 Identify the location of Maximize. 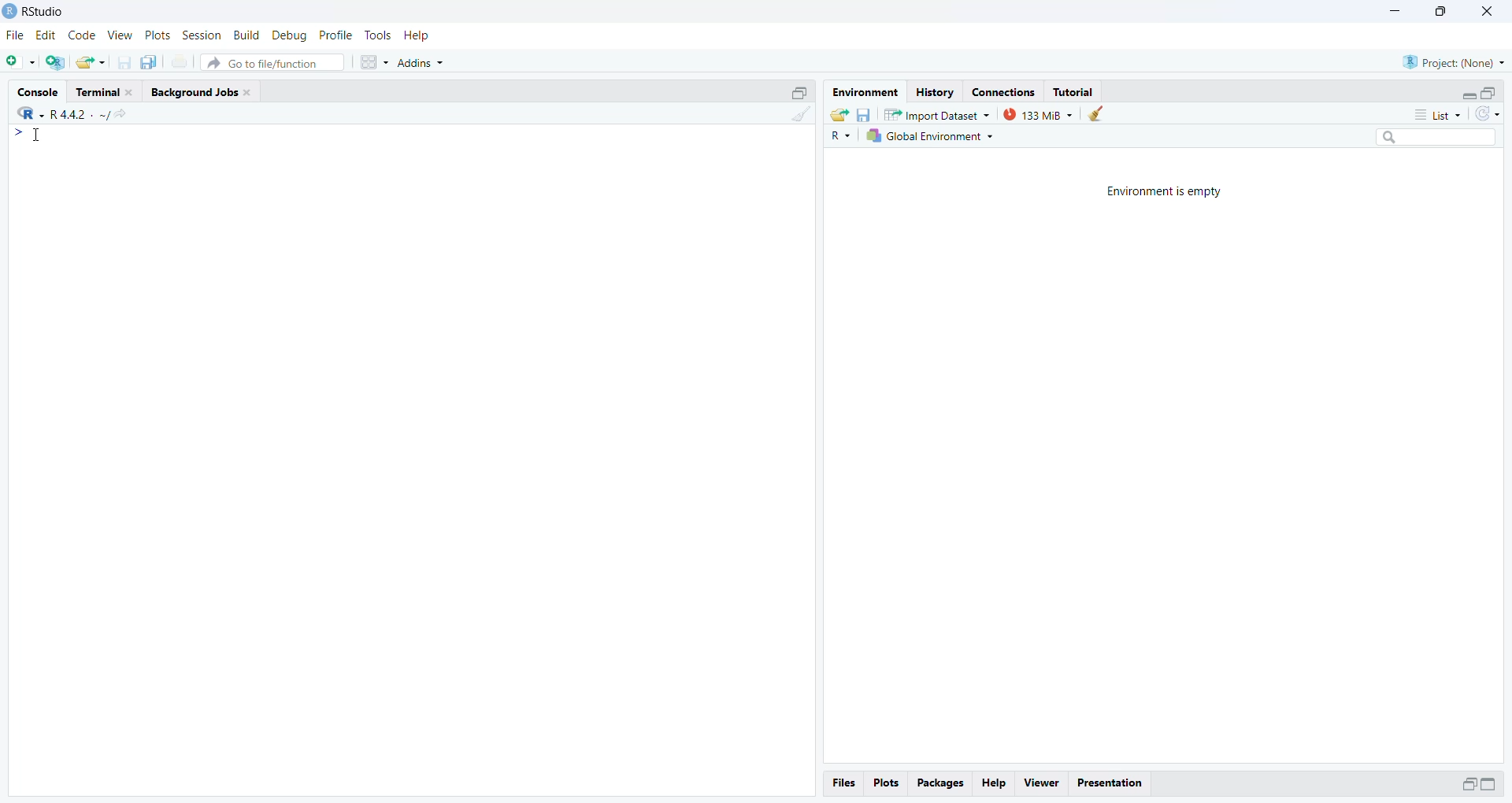
(798, 93).